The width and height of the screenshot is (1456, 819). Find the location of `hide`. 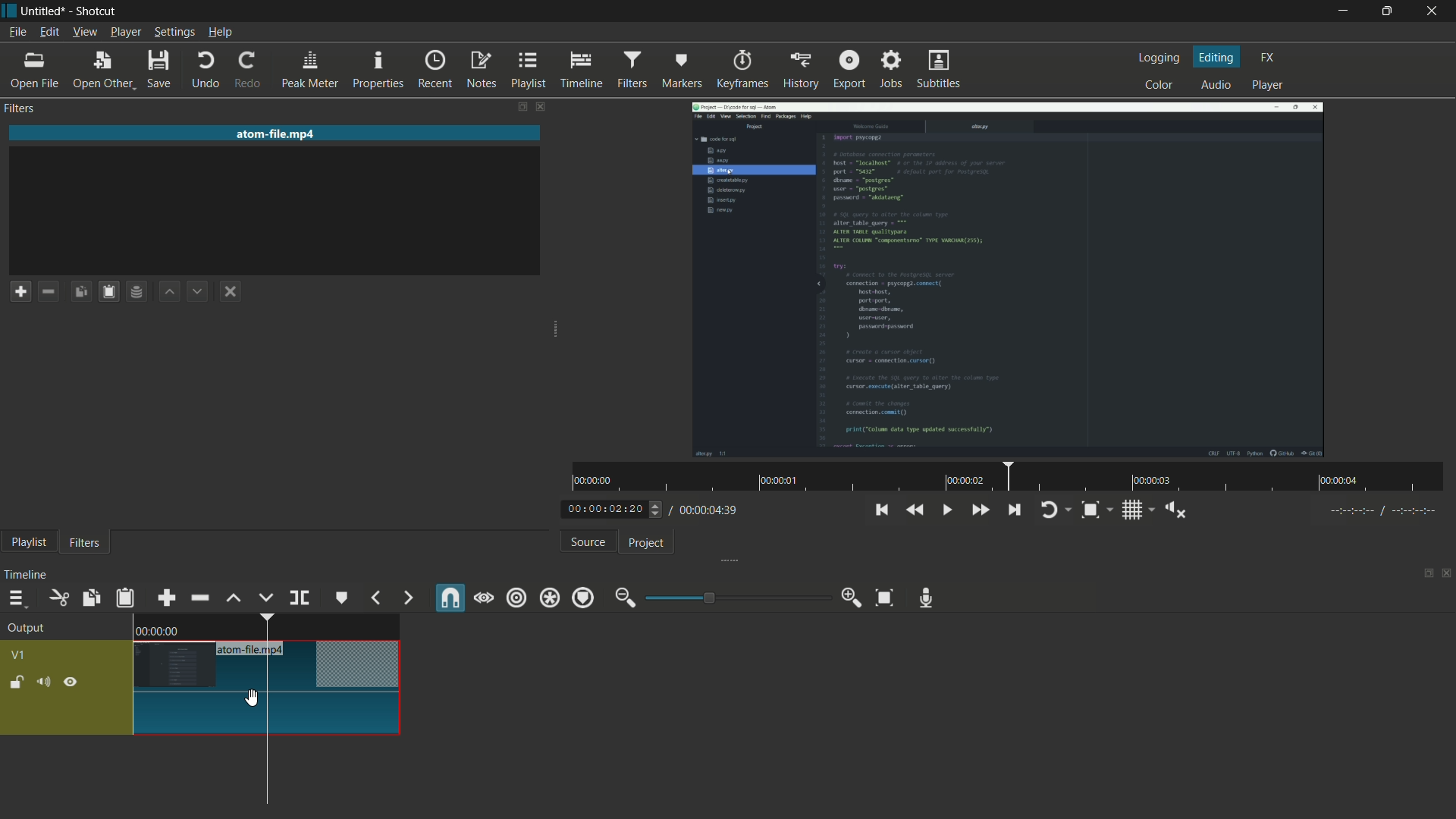

hide is located at coordinates (72, 681).